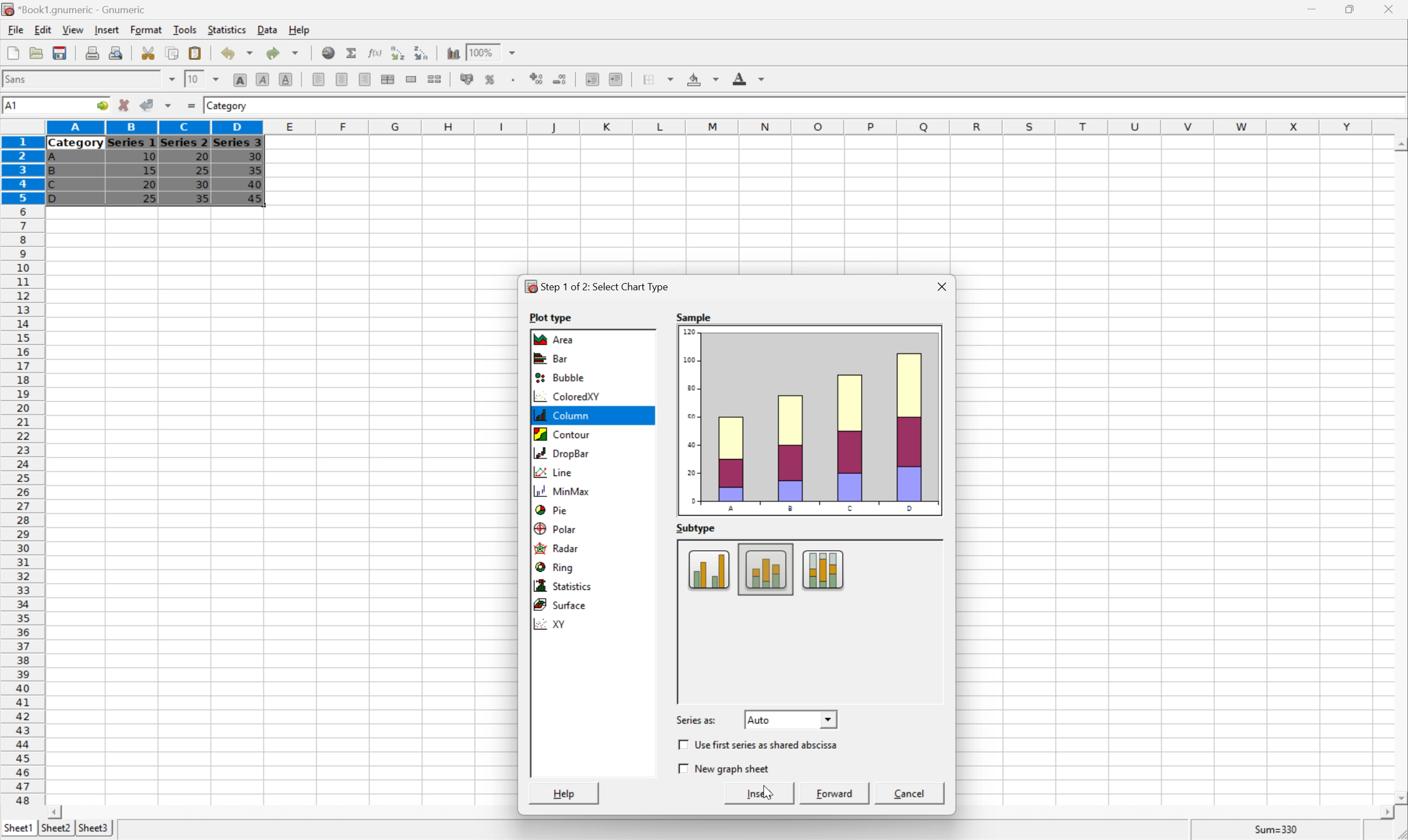  What do you see at coordinates (255, 182) in the screenshot?
I see `40` at bounding box center [255, 182].